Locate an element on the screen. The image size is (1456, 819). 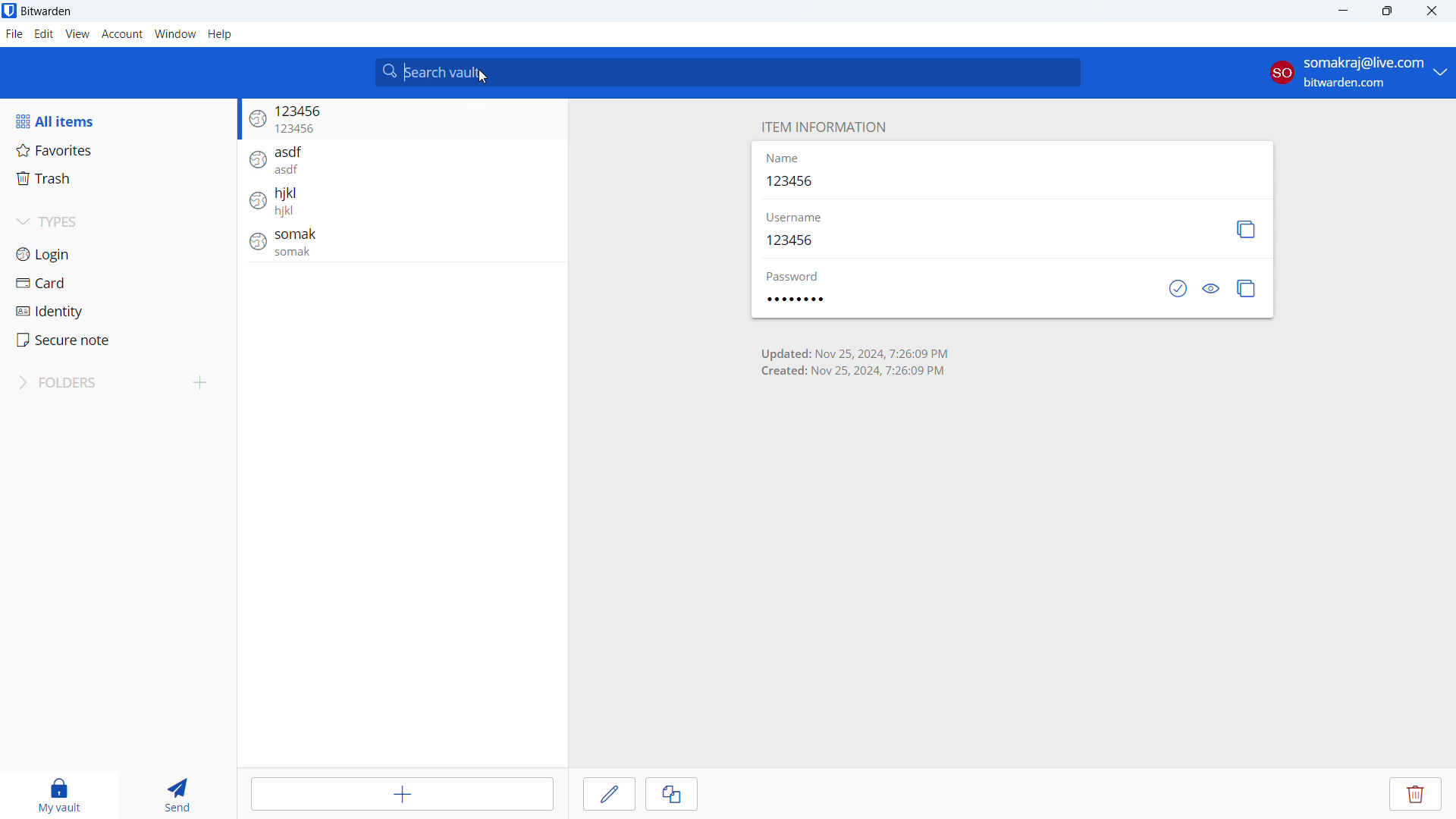
password label is located at coordinates (798, 274).